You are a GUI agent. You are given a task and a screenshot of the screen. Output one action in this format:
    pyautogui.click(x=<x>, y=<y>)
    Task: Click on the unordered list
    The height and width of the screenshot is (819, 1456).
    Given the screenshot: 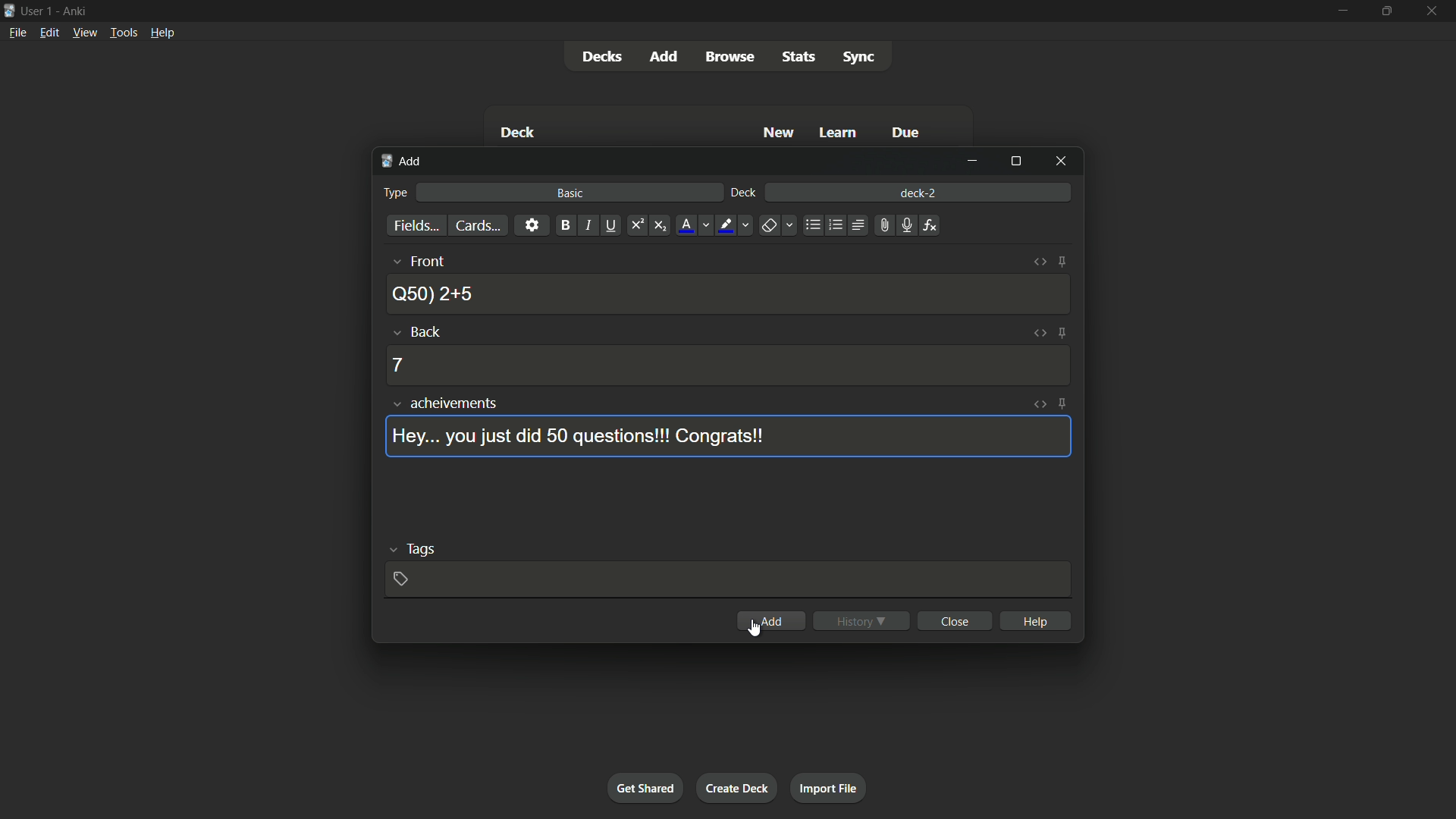 What is the action you would take?
    pyautogui.click(x=813, y=226)
    